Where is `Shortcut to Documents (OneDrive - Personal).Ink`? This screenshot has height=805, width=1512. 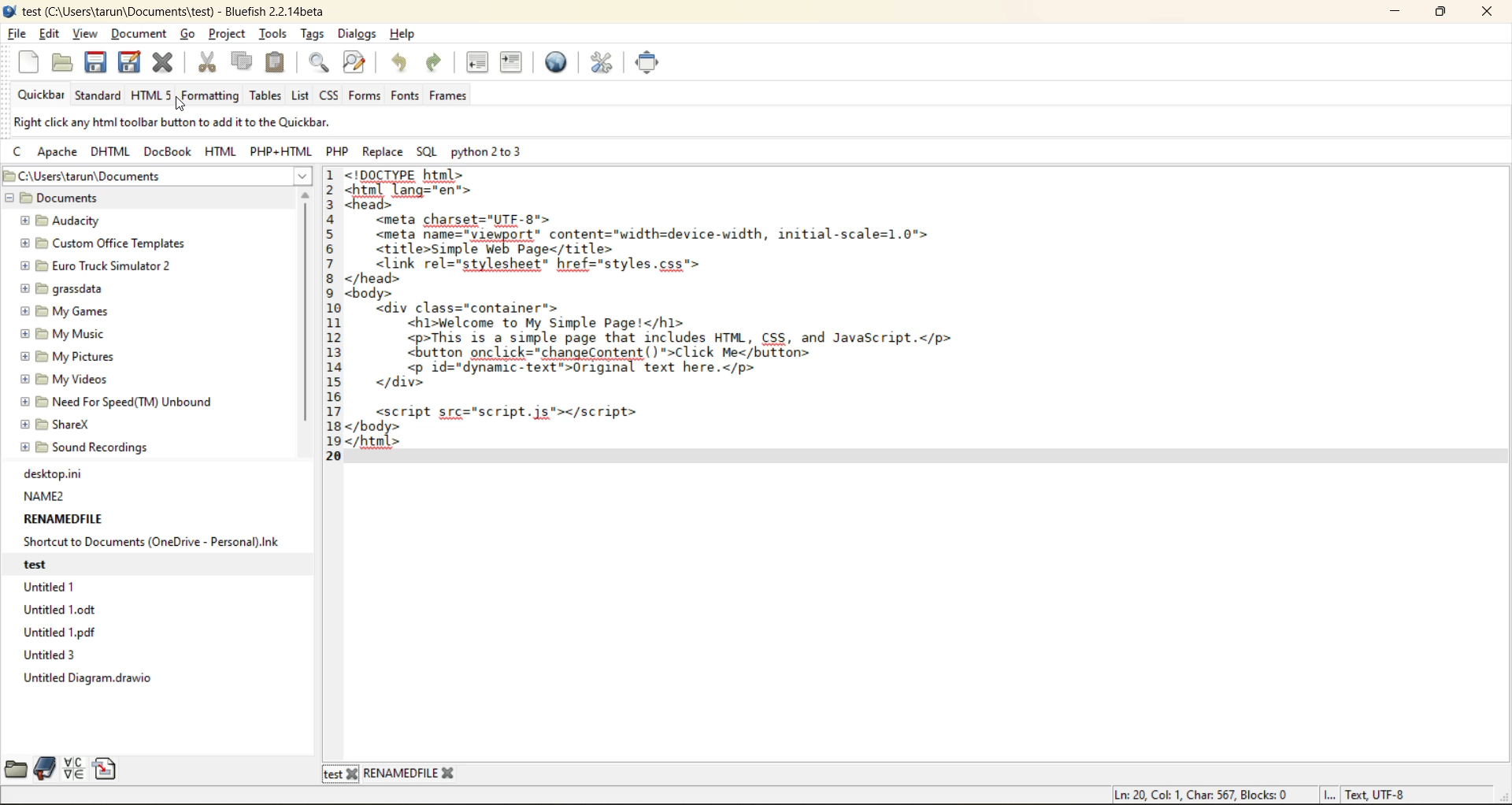 Shortcut to Documents (OneDrive - Personal).Ink is located at coordinates (150, 543).